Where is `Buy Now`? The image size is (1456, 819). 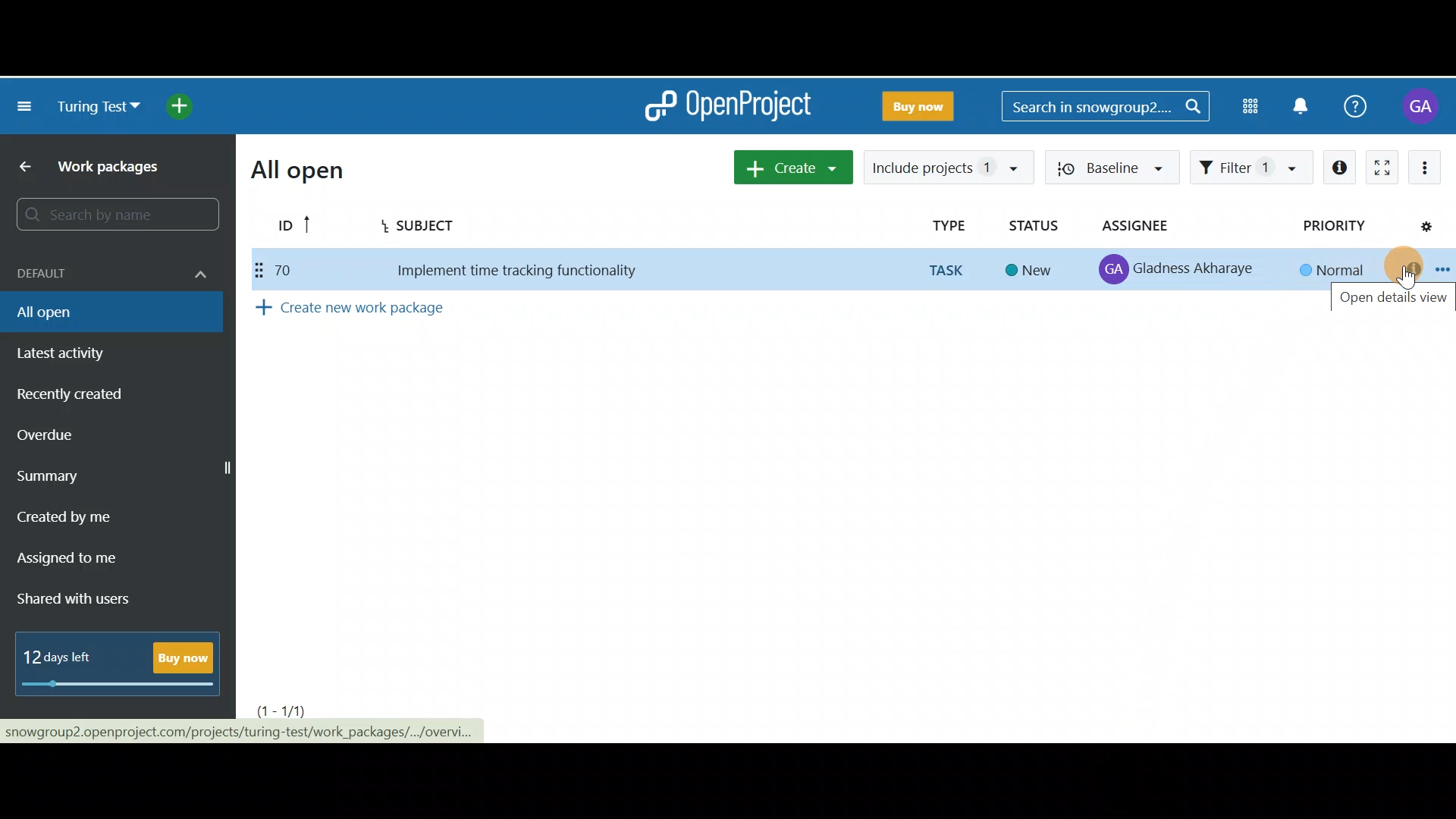 Buy Now is located at coordinates (915, 103).